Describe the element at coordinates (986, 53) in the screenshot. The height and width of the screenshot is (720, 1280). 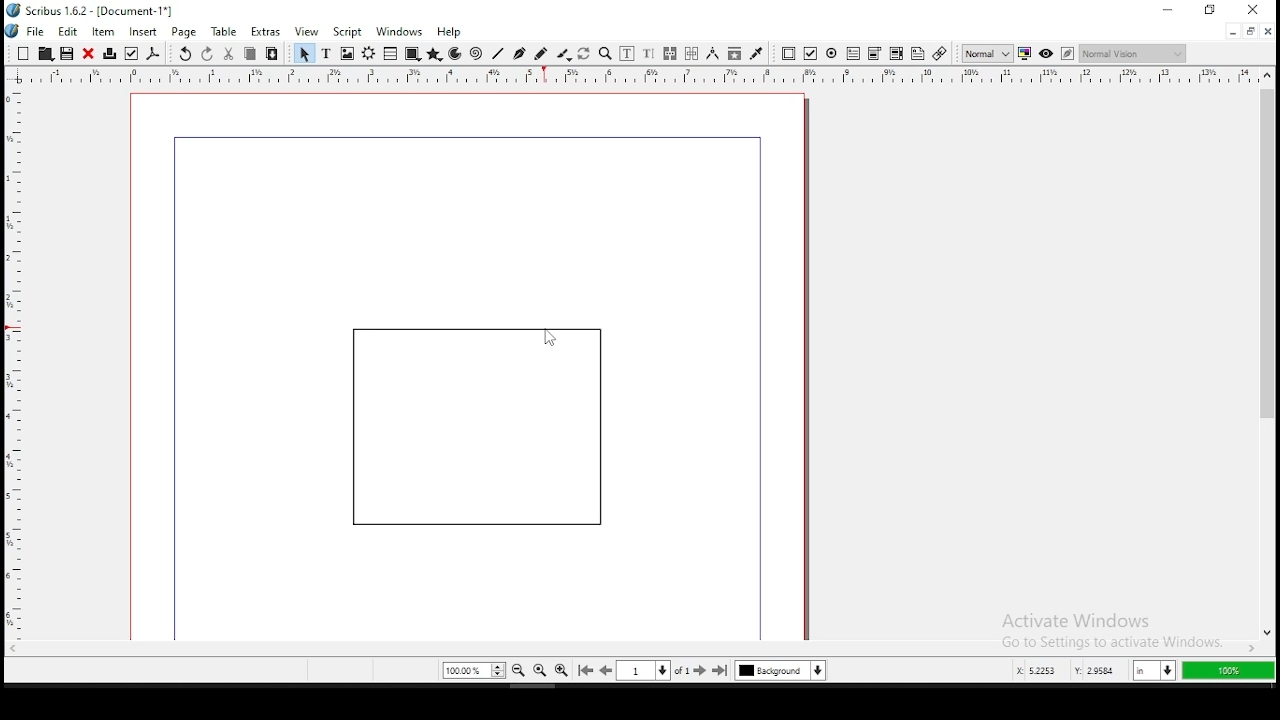
I see `toggle image preview quality` at that location.